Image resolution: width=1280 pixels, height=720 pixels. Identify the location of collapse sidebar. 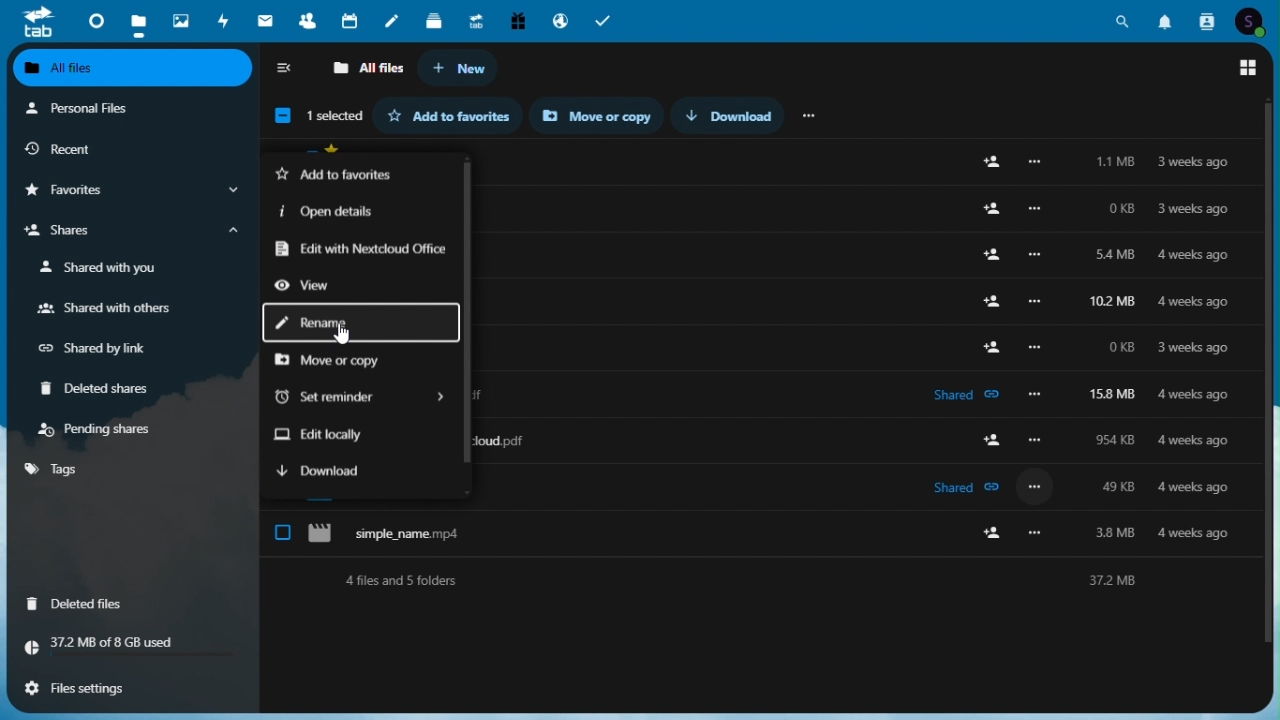
(286, 70).